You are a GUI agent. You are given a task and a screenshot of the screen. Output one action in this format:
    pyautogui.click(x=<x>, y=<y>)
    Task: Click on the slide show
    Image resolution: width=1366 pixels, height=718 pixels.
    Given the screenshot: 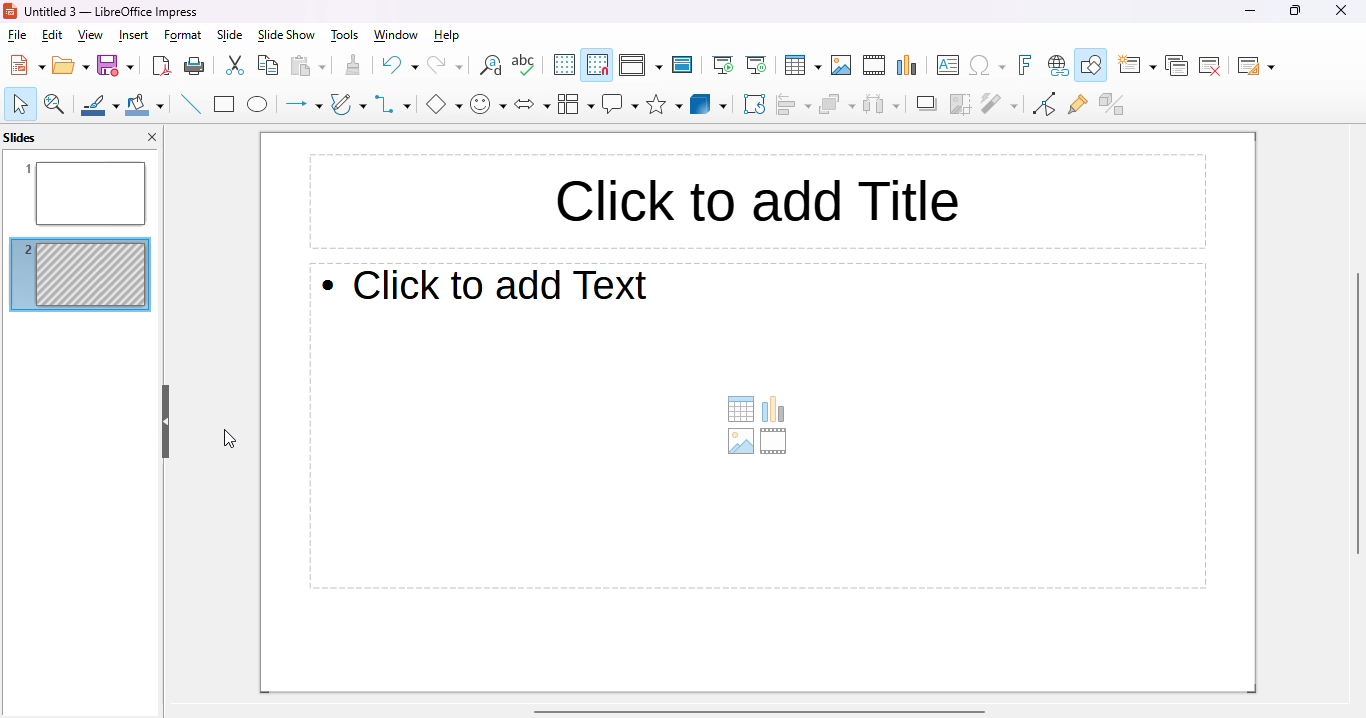 What is the action you would take?
    pyautogui.click(x=285, y=36)
    